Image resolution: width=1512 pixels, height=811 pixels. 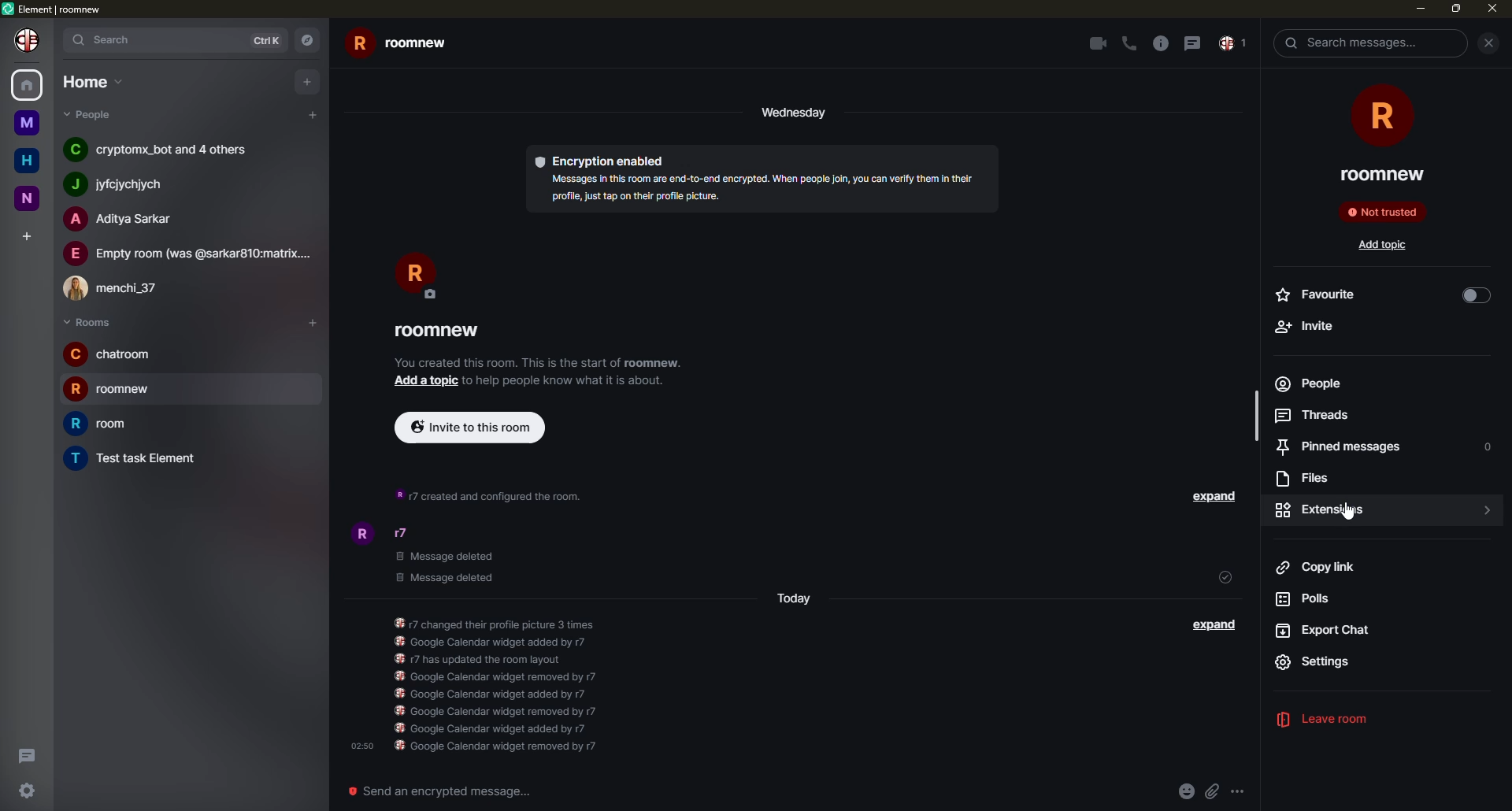 What do you see at coordinates (28, 161) in the screenshot?
I see `home` at bounding box center [28, 161].